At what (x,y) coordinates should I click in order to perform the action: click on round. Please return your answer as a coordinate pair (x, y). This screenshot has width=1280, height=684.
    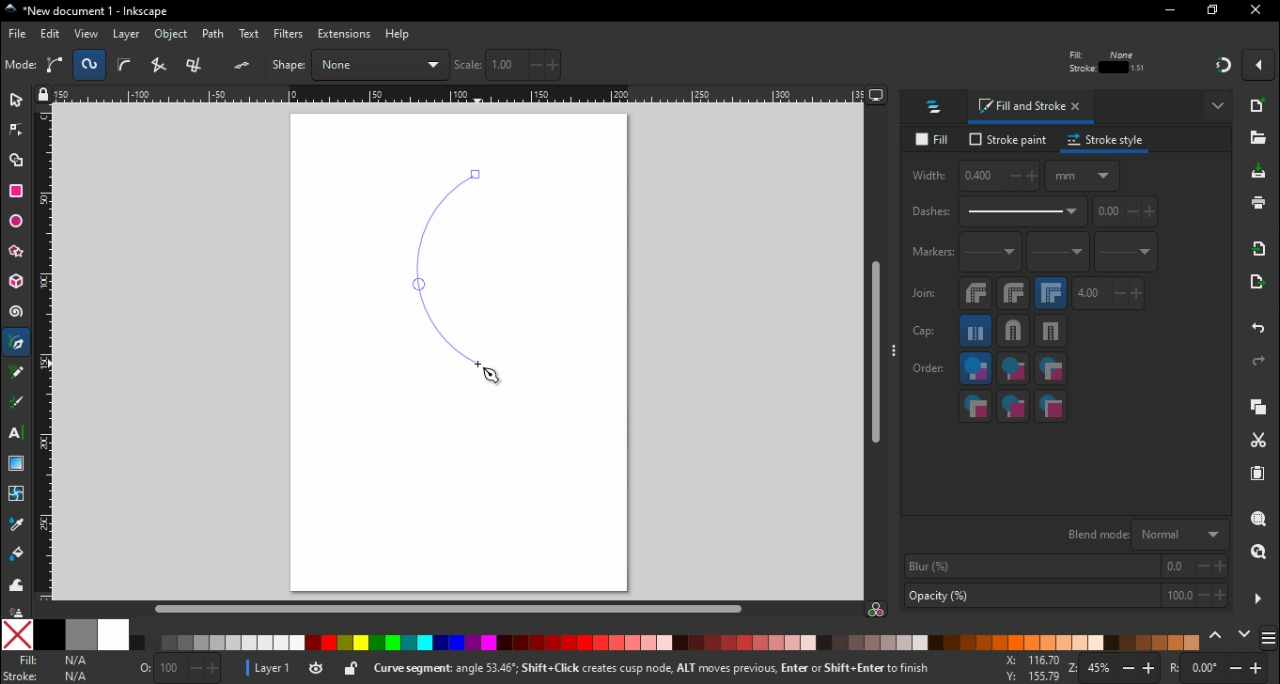
    Looking at the image, I should click on (1015, 334).